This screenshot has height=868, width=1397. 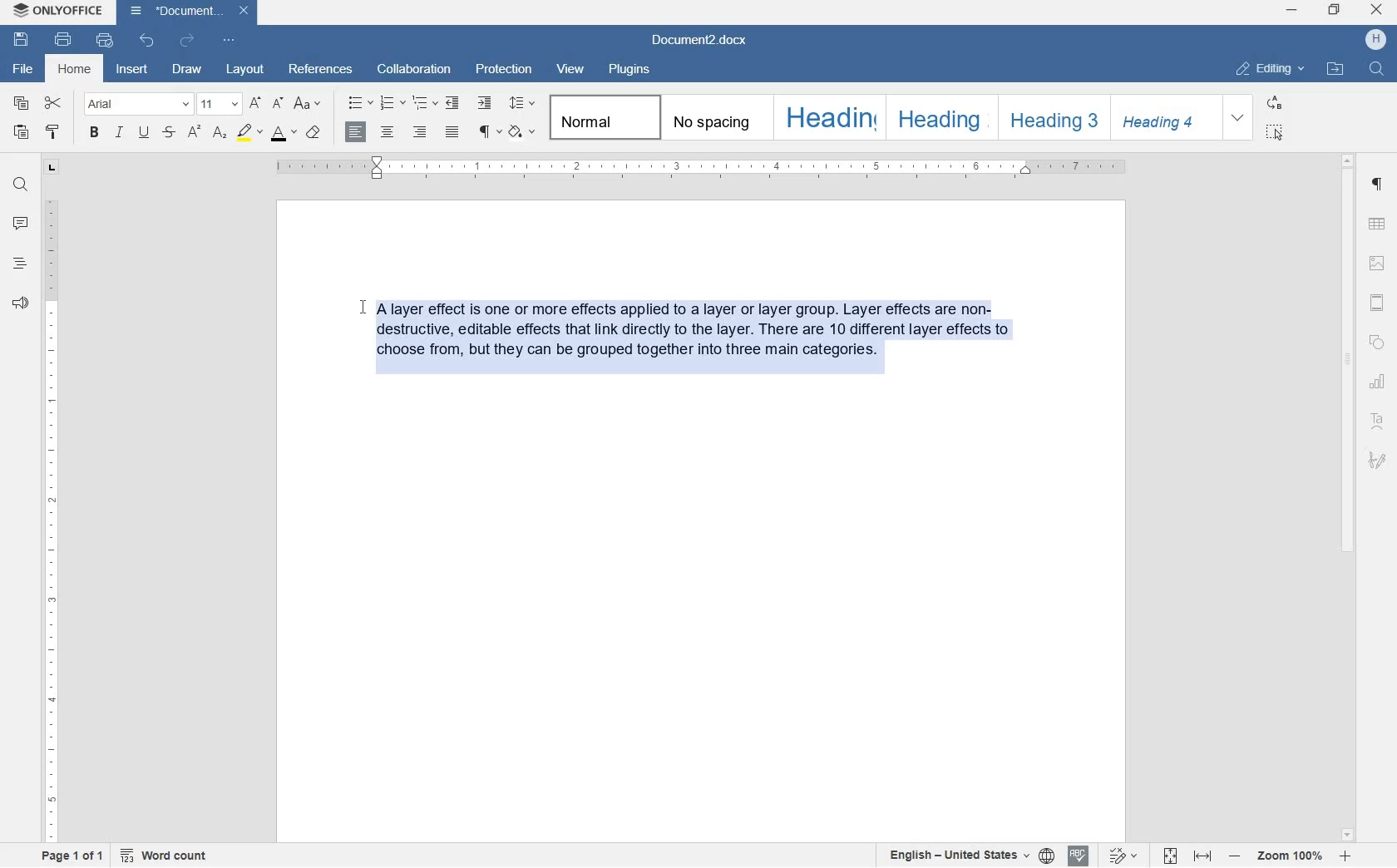 What do you see at coordinates (456, 102) in the screenshot?
I see `decrease indent` at bounding box center [456, 102].